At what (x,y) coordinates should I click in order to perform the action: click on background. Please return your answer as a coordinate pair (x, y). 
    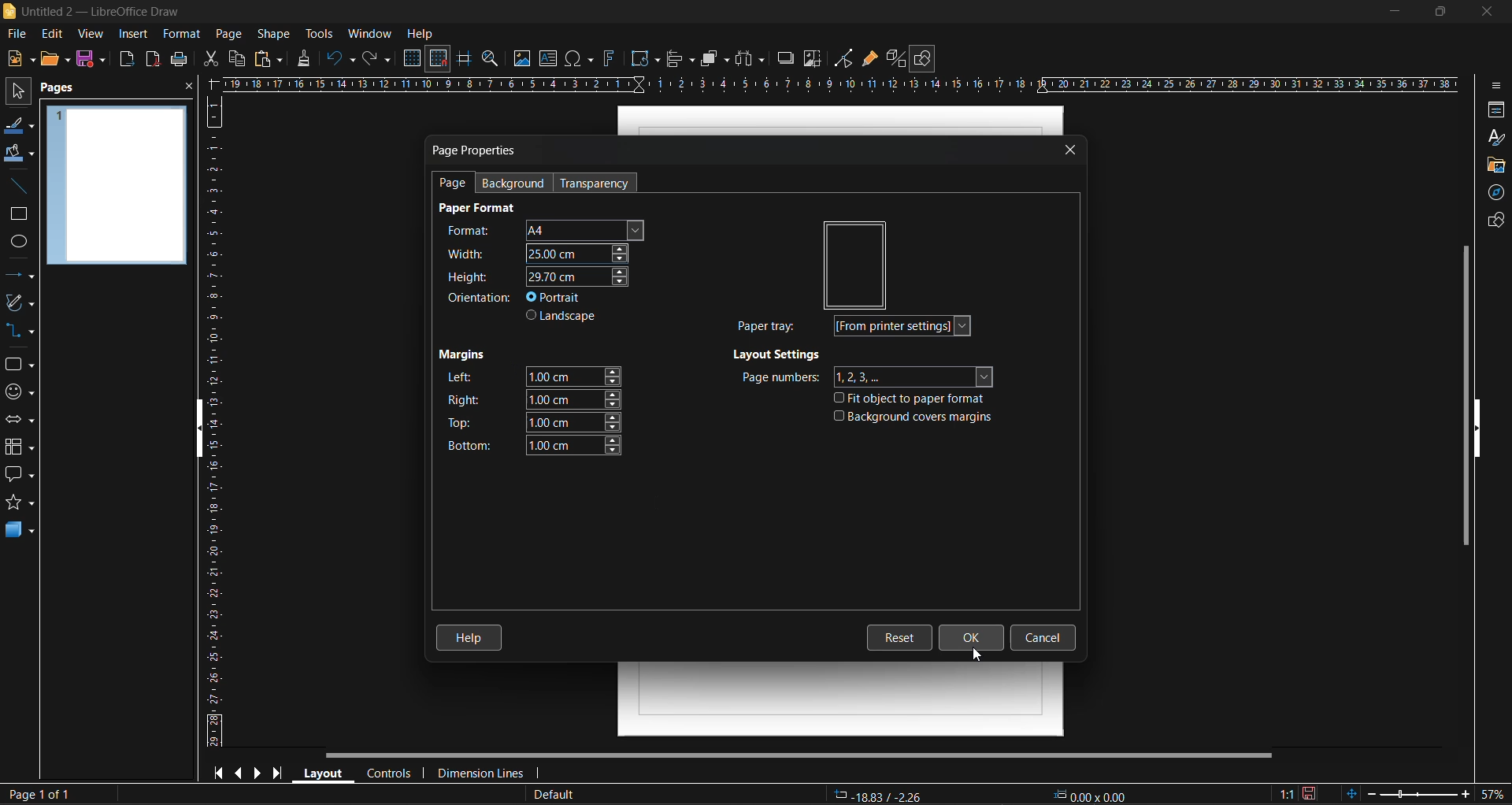
    Looking at the image, I should click on (520, 182).